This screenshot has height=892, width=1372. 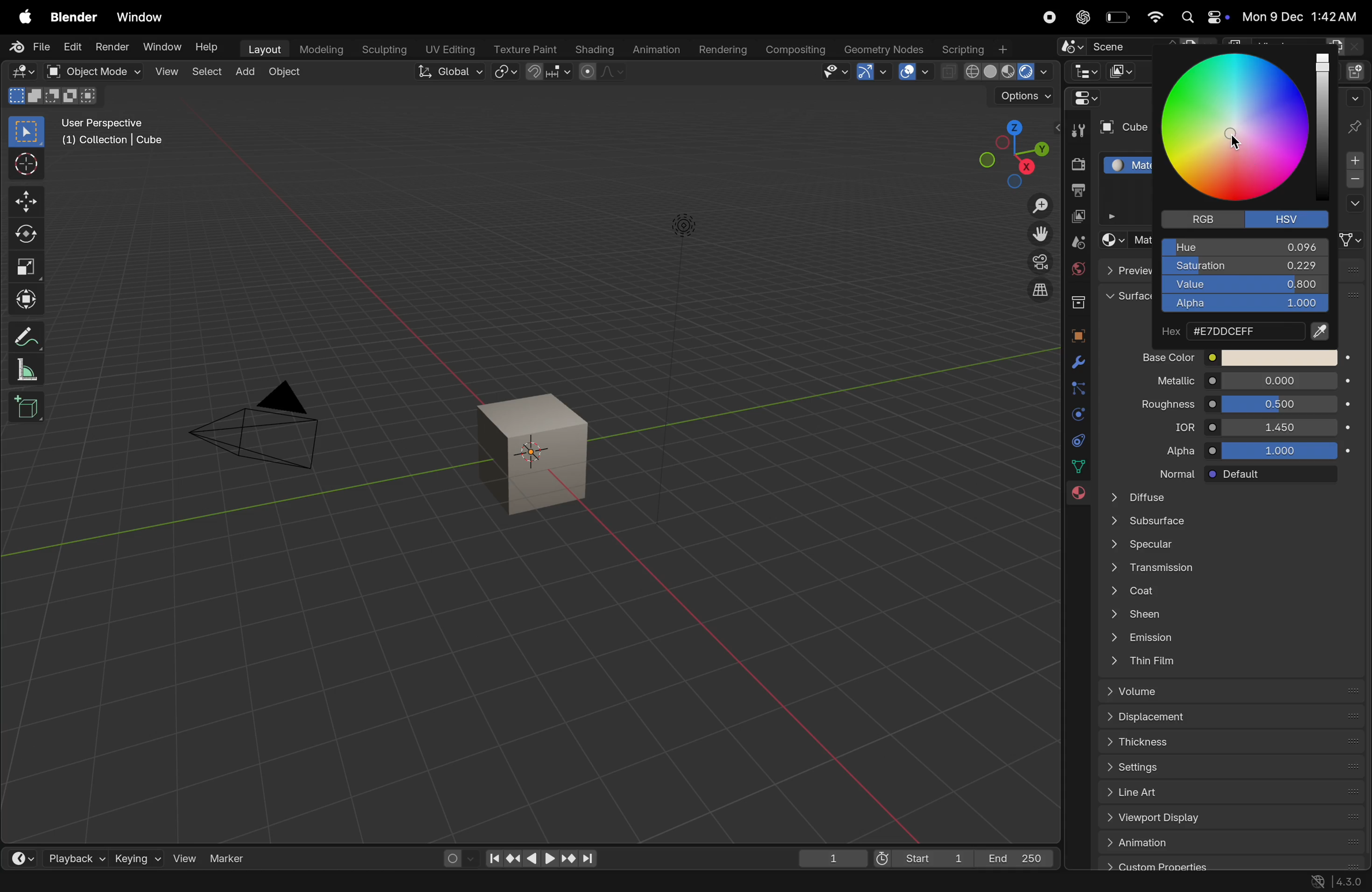 What do you see at coordinates (1116, 17) in the screenshot?
I see `battery` at bounding box center [1116, 17].